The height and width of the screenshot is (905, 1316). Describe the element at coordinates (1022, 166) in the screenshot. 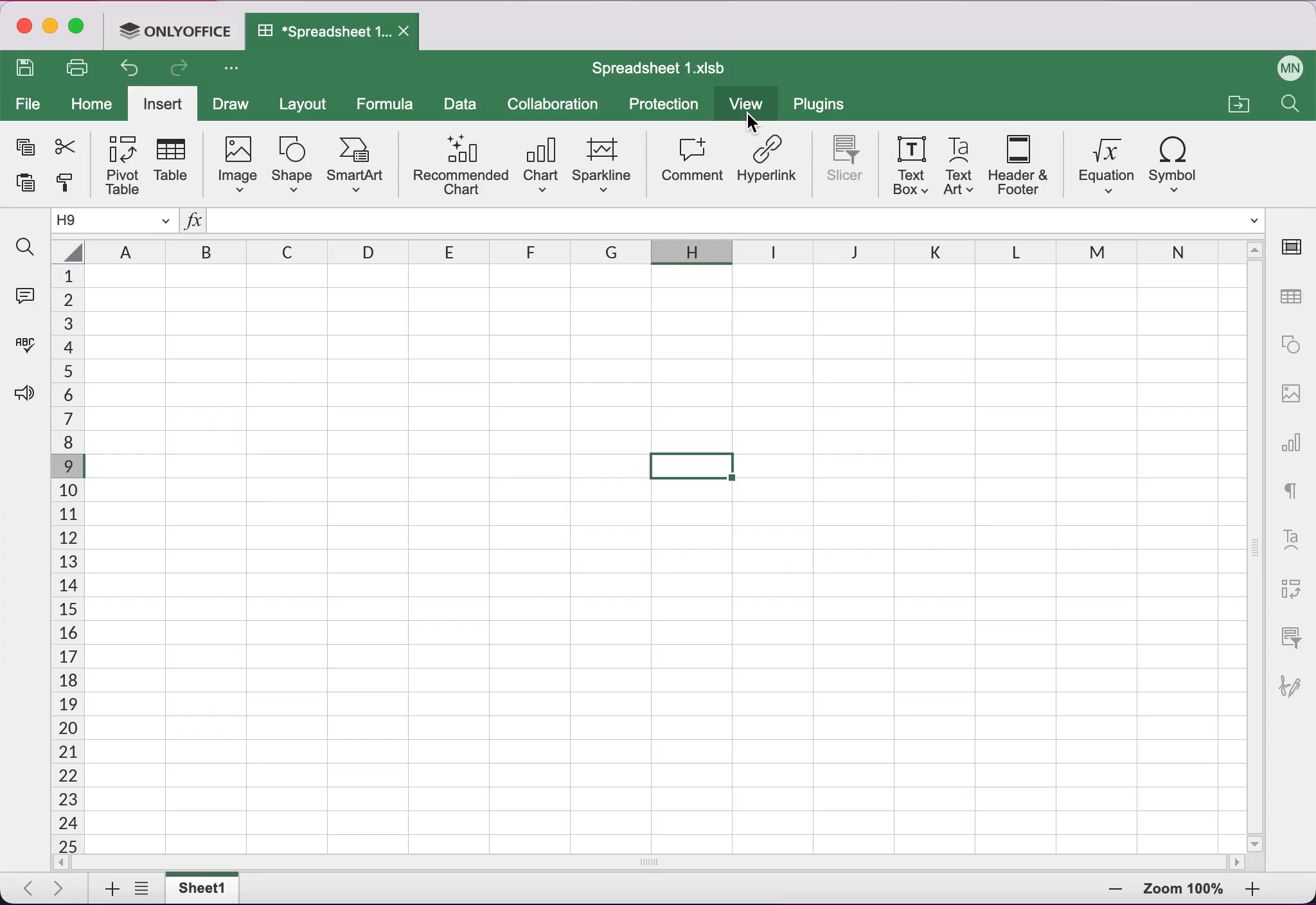

I see `header and footer` at that location.